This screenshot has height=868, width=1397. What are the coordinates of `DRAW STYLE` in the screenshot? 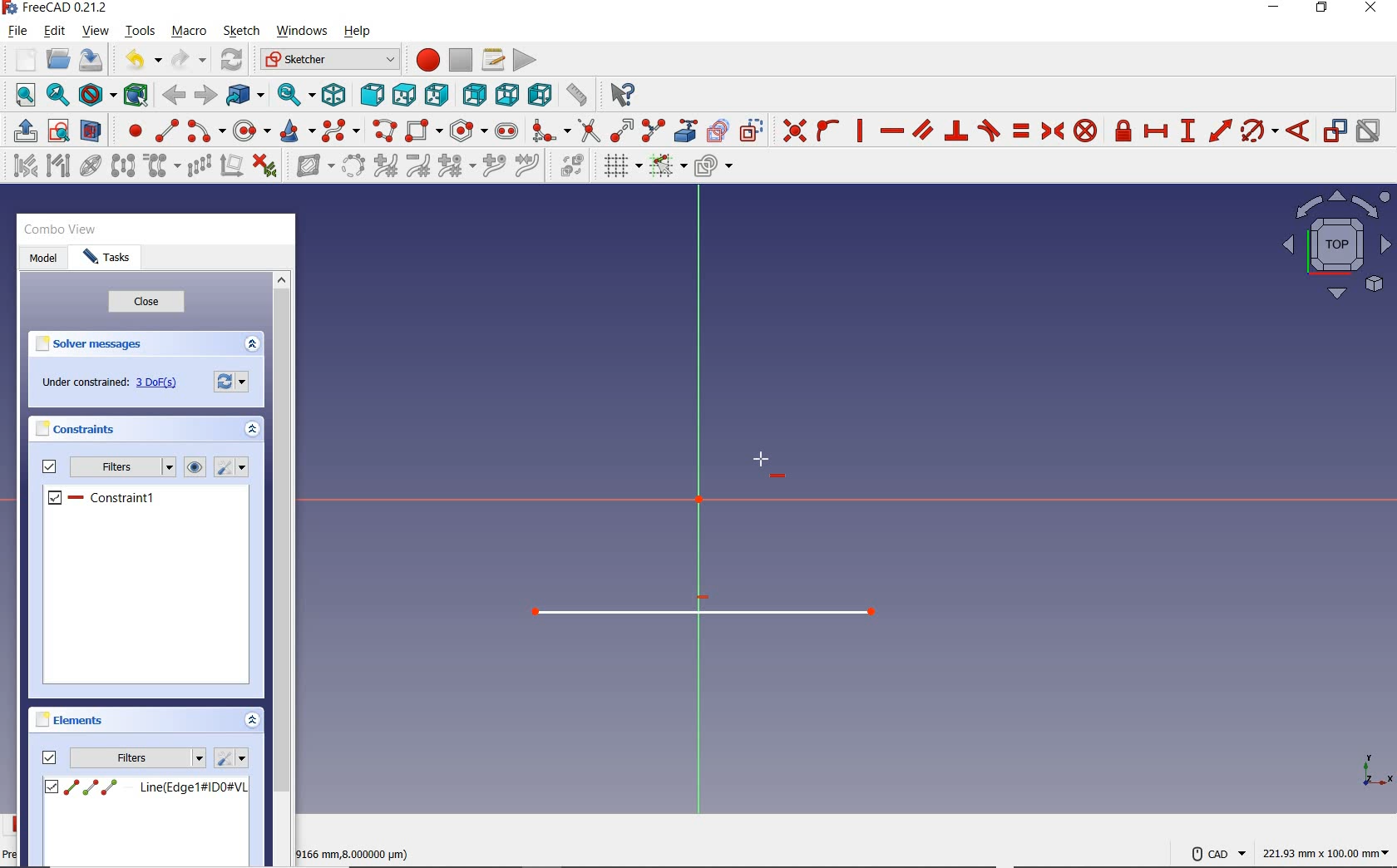 It's located at (96, 96).